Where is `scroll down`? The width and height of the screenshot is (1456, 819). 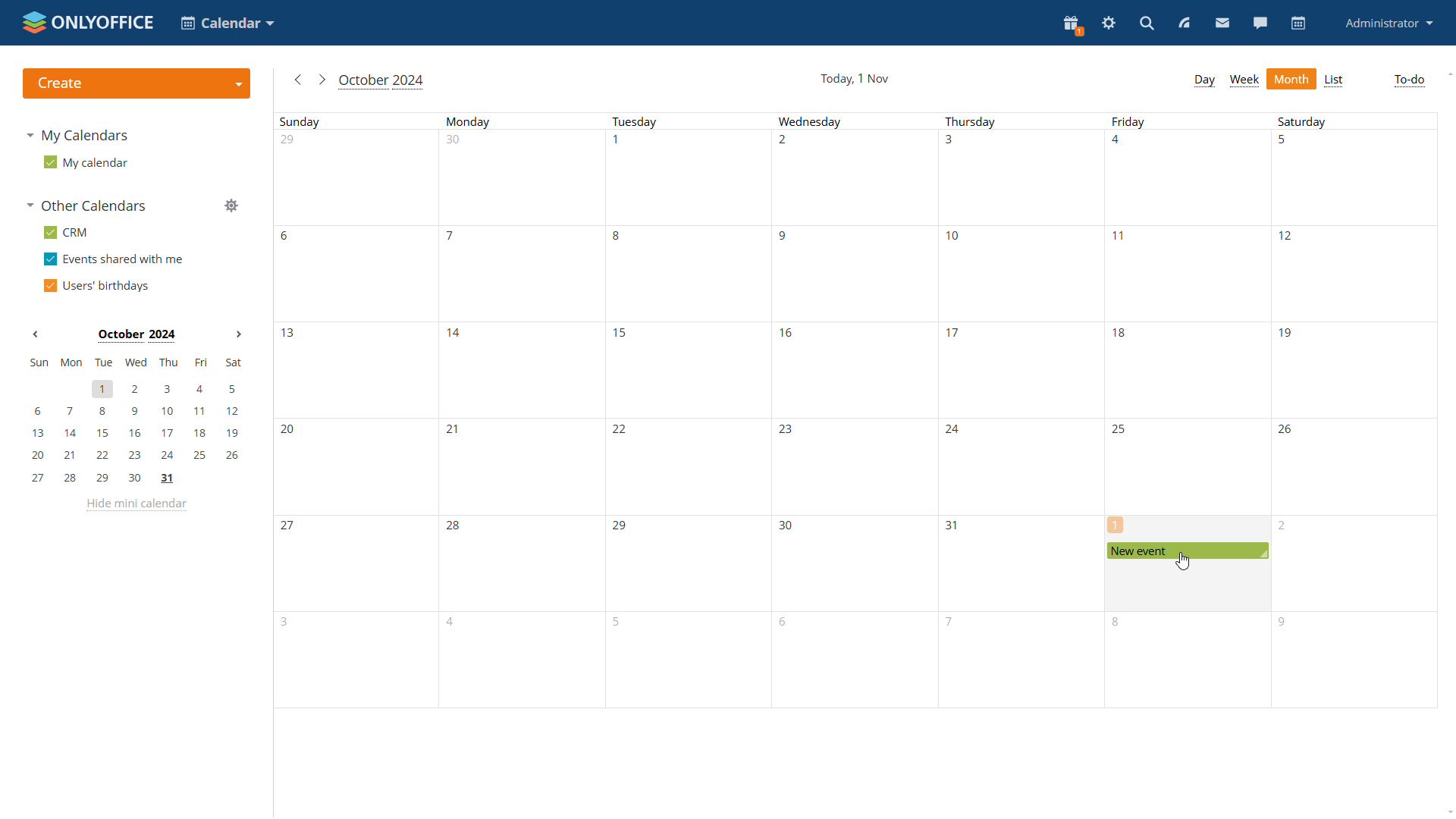
scroll down is located at coordinates (1451, 809).